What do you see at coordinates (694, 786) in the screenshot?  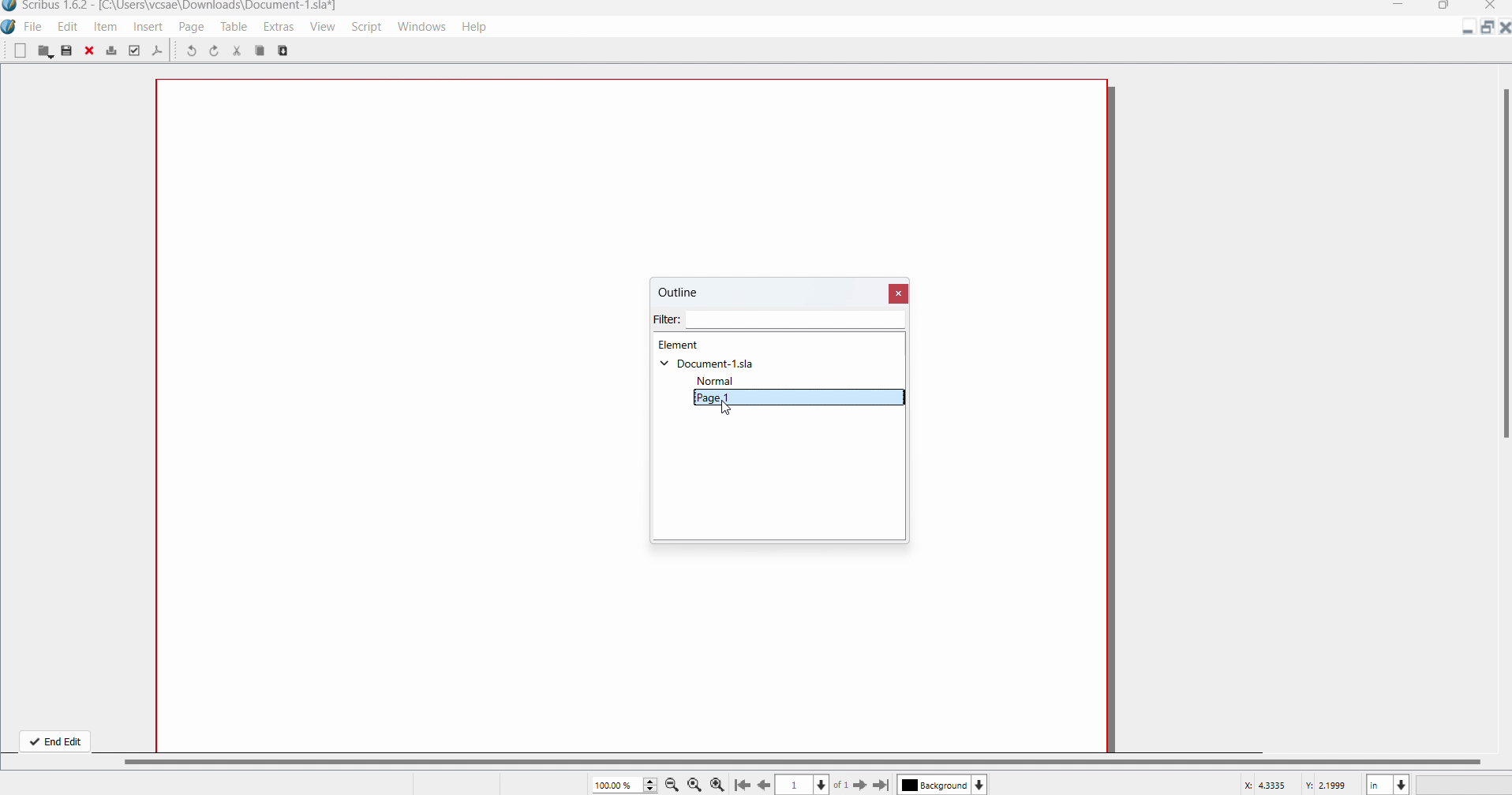 I see `zoom reset` at bounding box center [694, 786].